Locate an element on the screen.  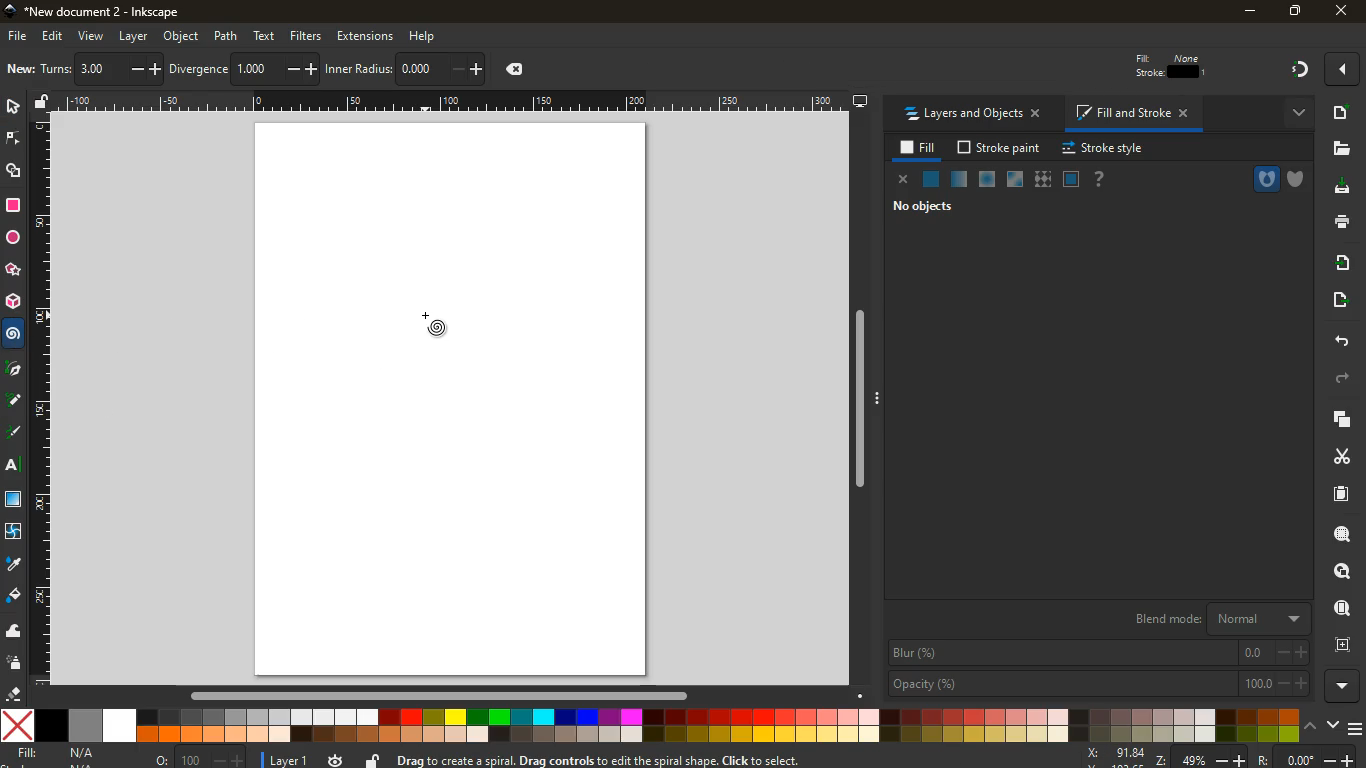
layers is located at coordinates (58, 71).